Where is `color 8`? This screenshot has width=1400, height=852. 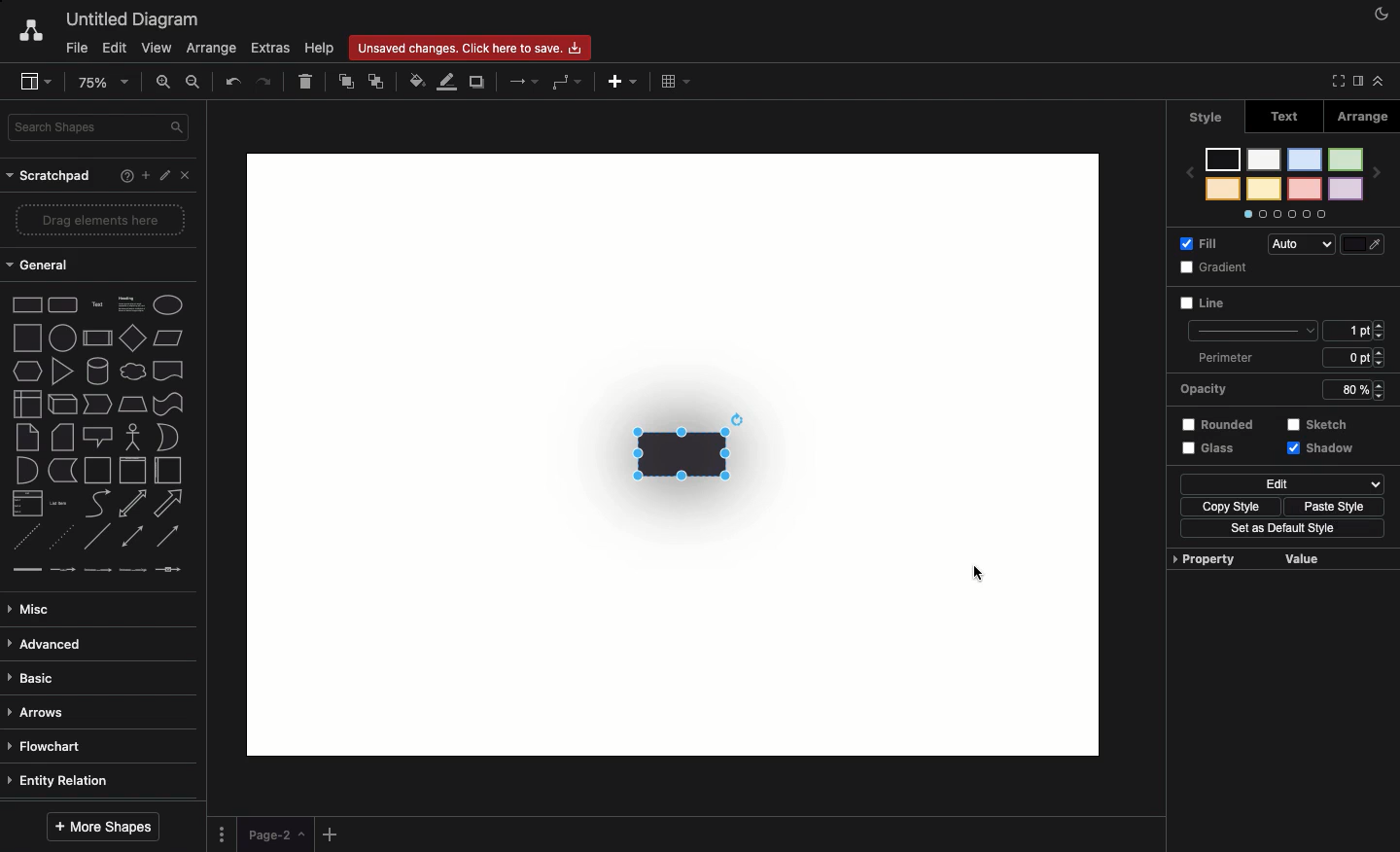
color 8 is located at coordinates (1222, 189).